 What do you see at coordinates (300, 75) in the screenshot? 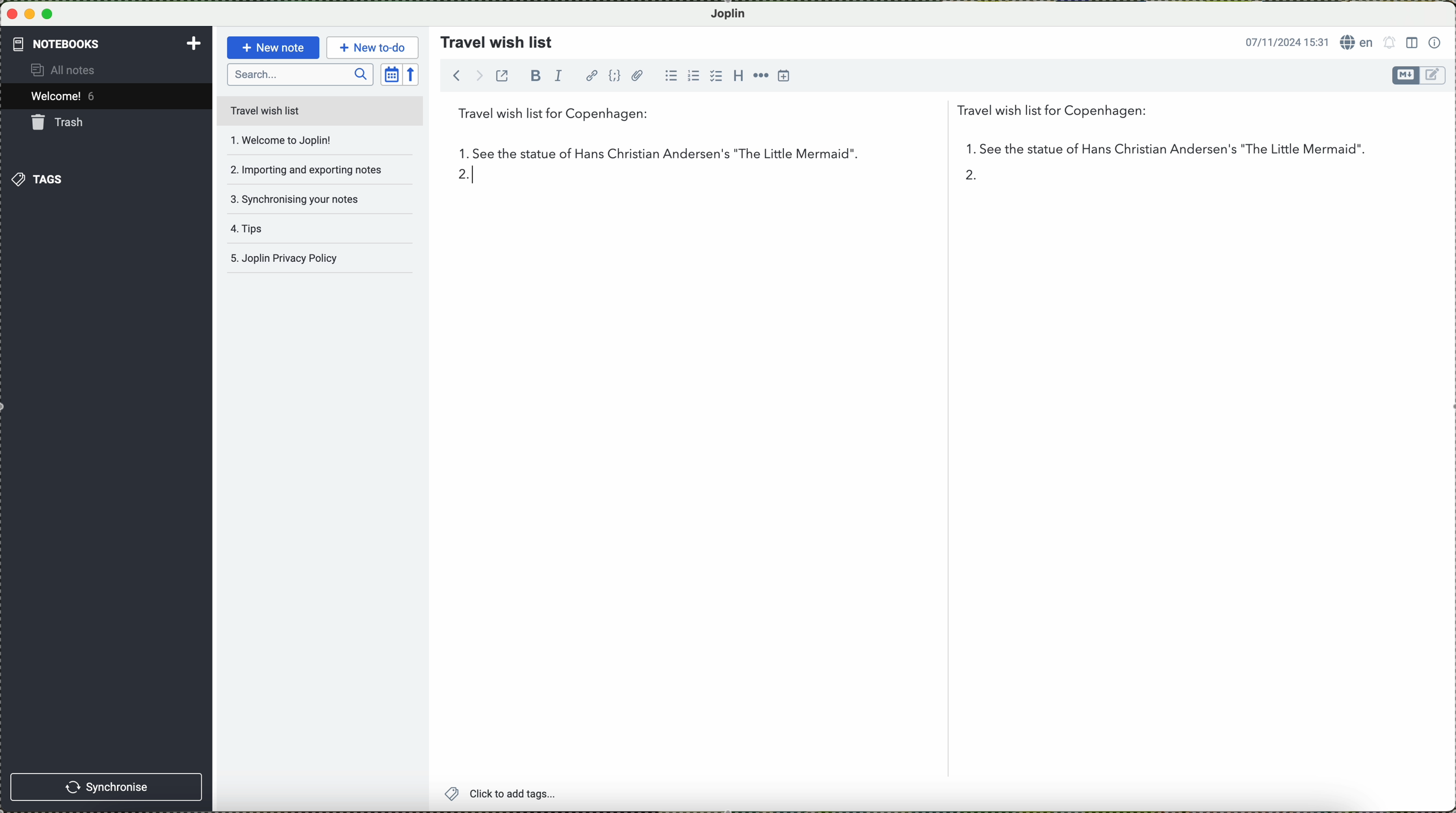
I see `search bar` at bounding box center [300, 75].